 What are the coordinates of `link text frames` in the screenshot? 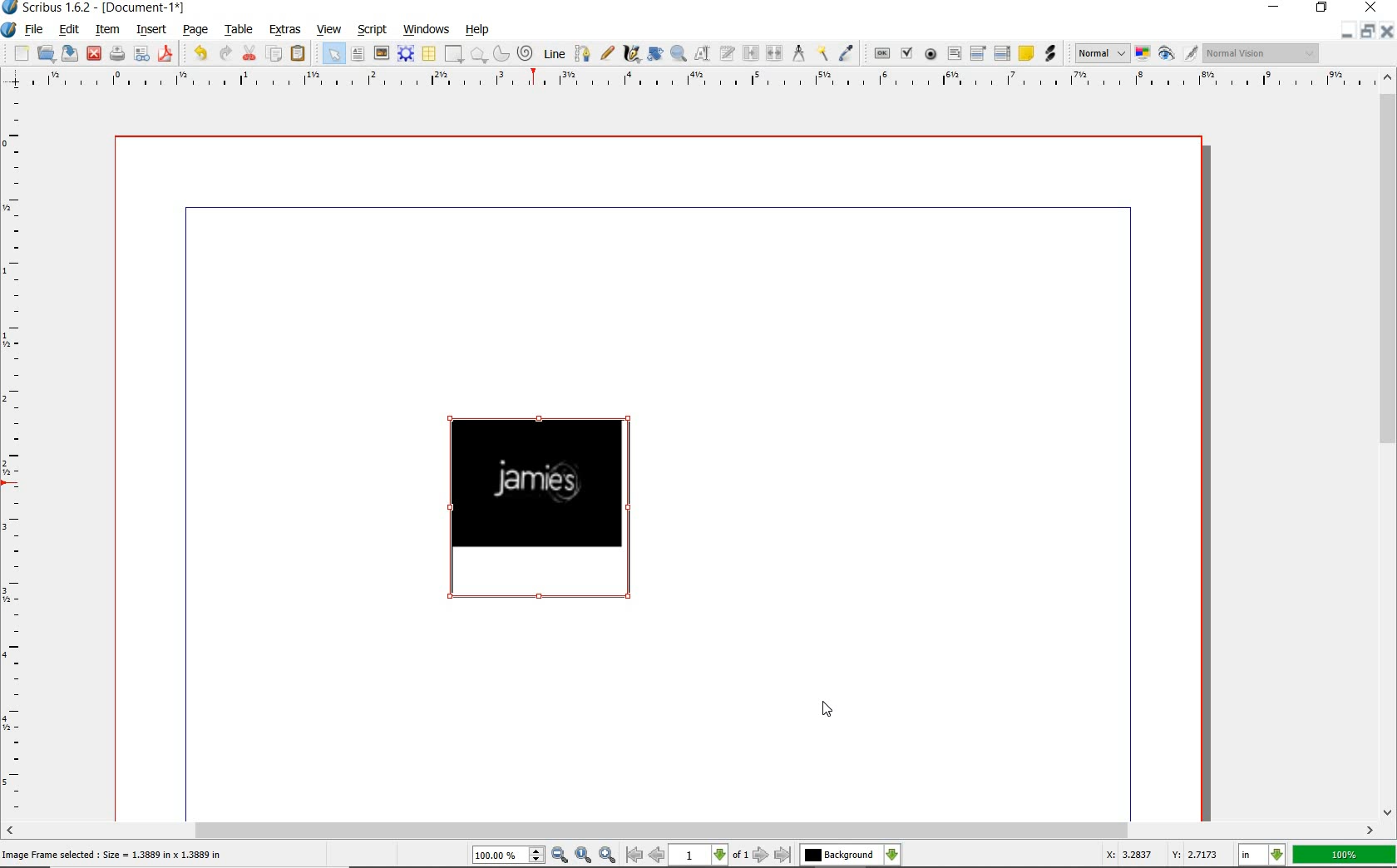 It's located at (752, 52).